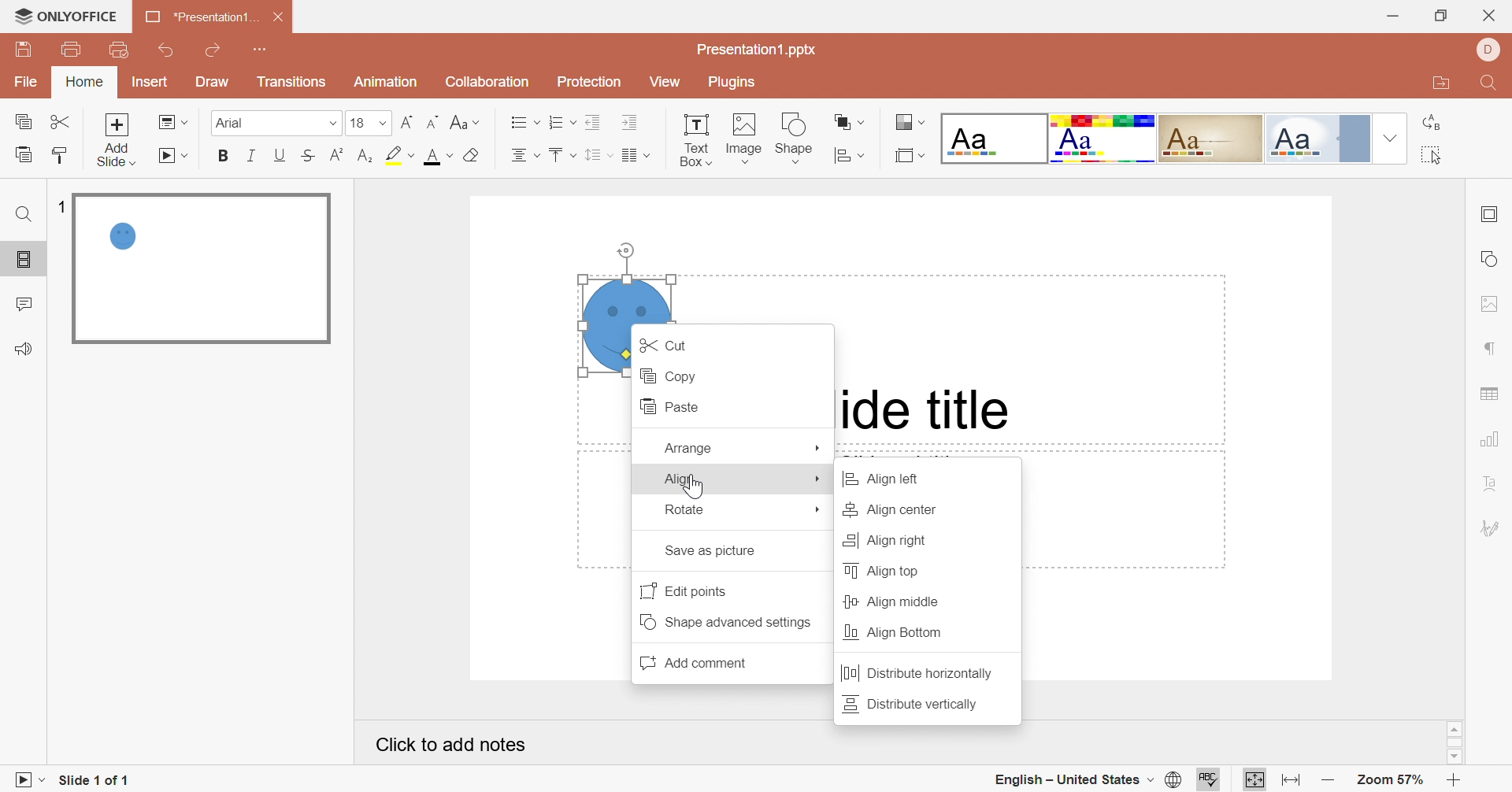 Image resolution: width=1512 pixels, height=792 pixels. What do you see at coordinates (684, 479) in the screenshot?
I see `Align` at bounding box center [684, 479].